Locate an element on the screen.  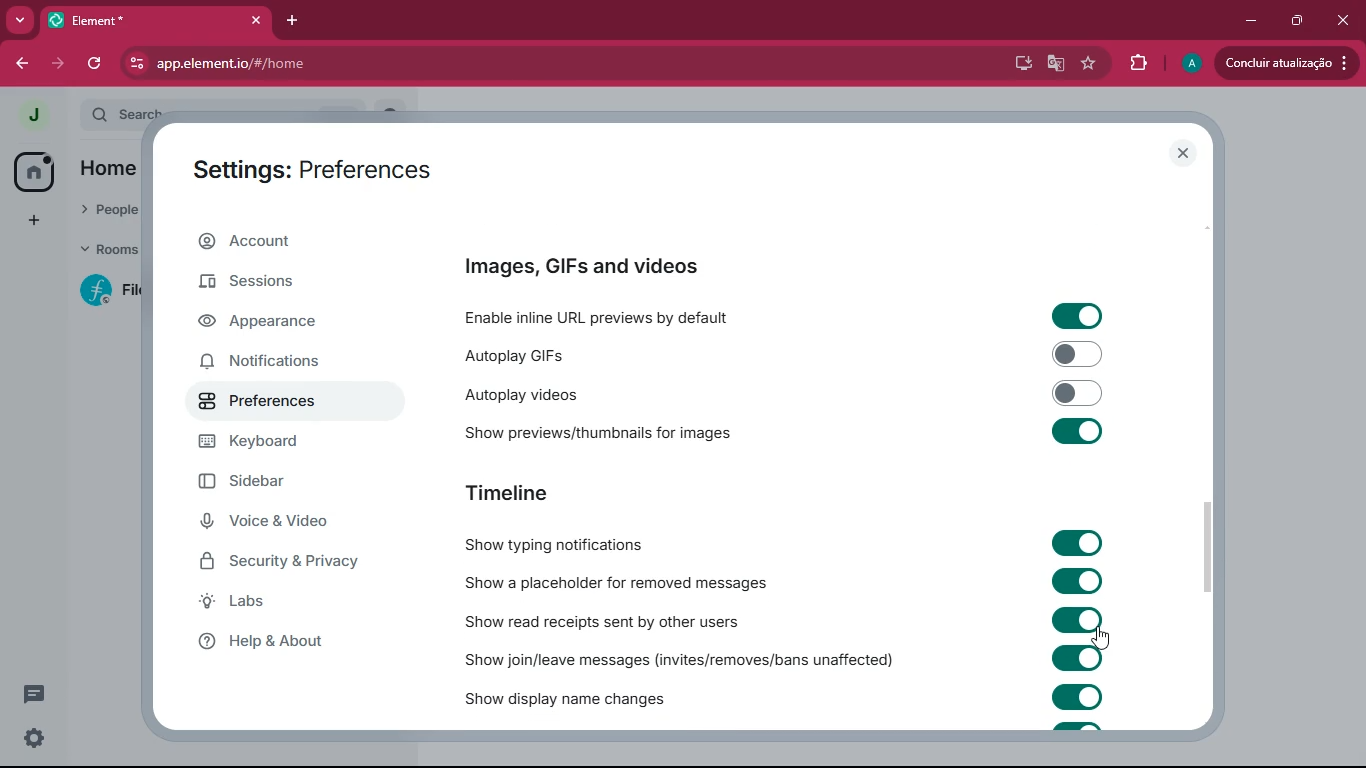
toggle on/off is located at coordinates (1079, 581).